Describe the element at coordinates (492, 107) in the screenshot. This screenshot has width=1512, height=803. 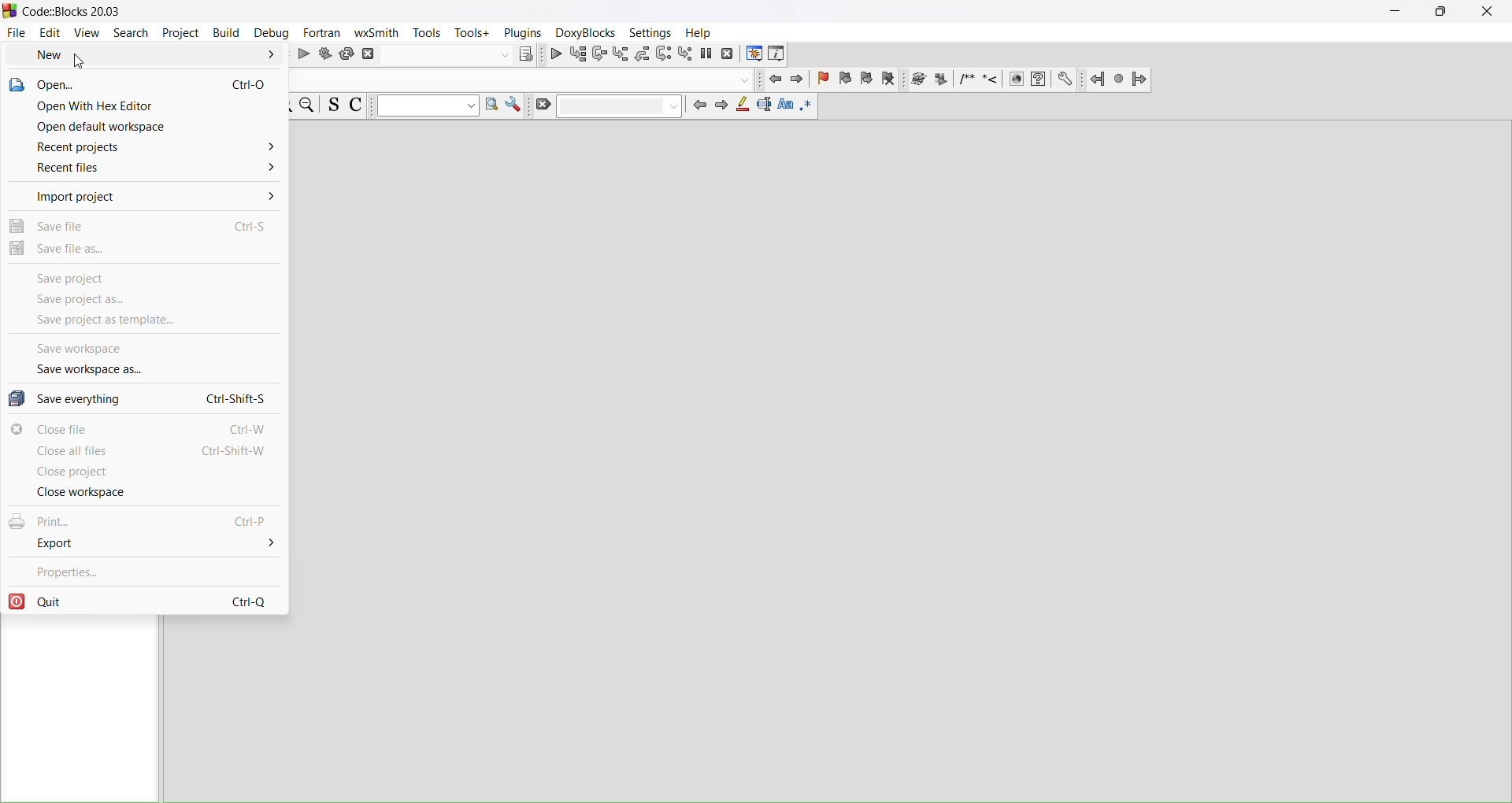
I see `run search` at that location.